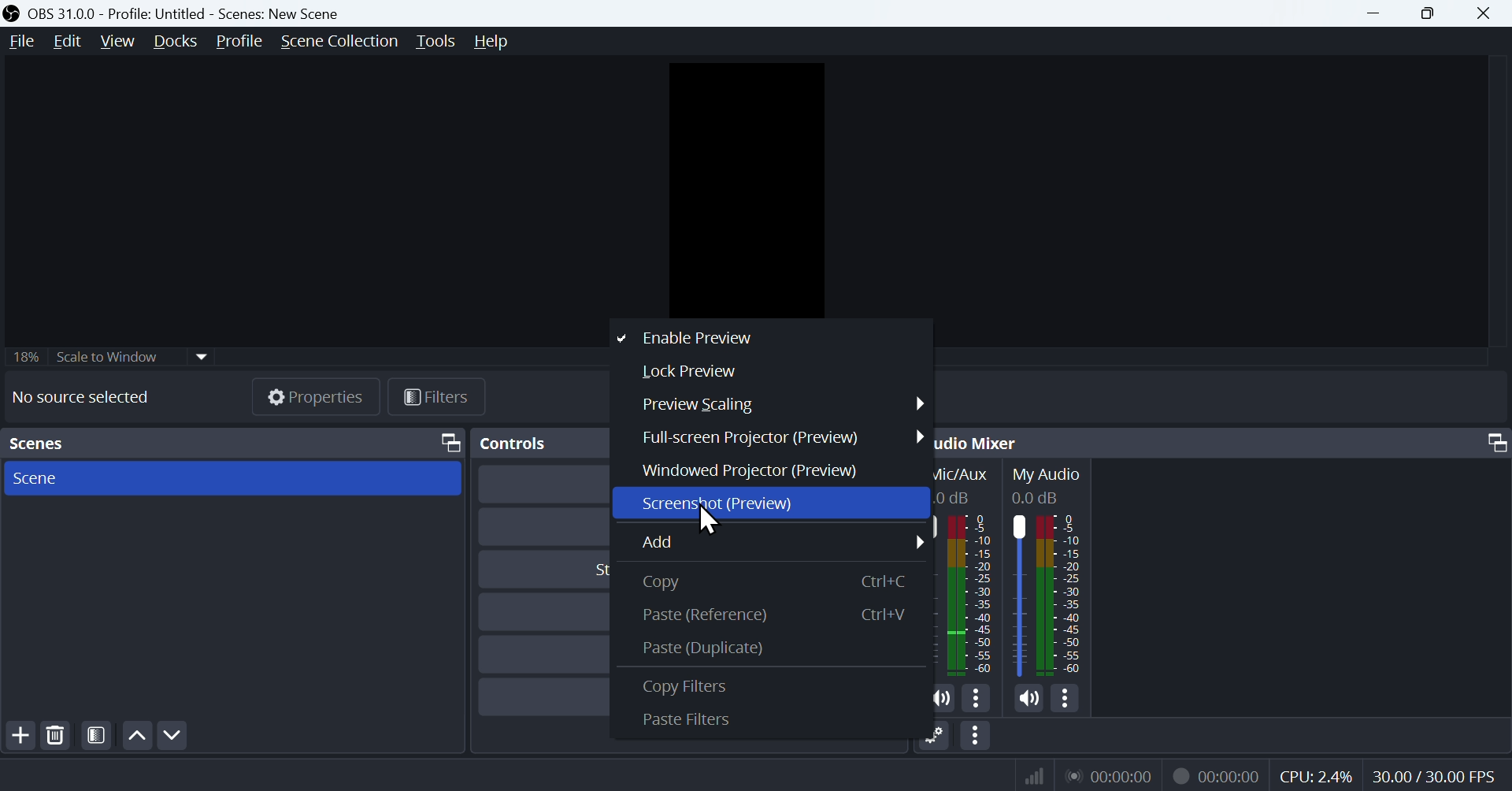  I want to click on Lock preview, so click(701, 373).